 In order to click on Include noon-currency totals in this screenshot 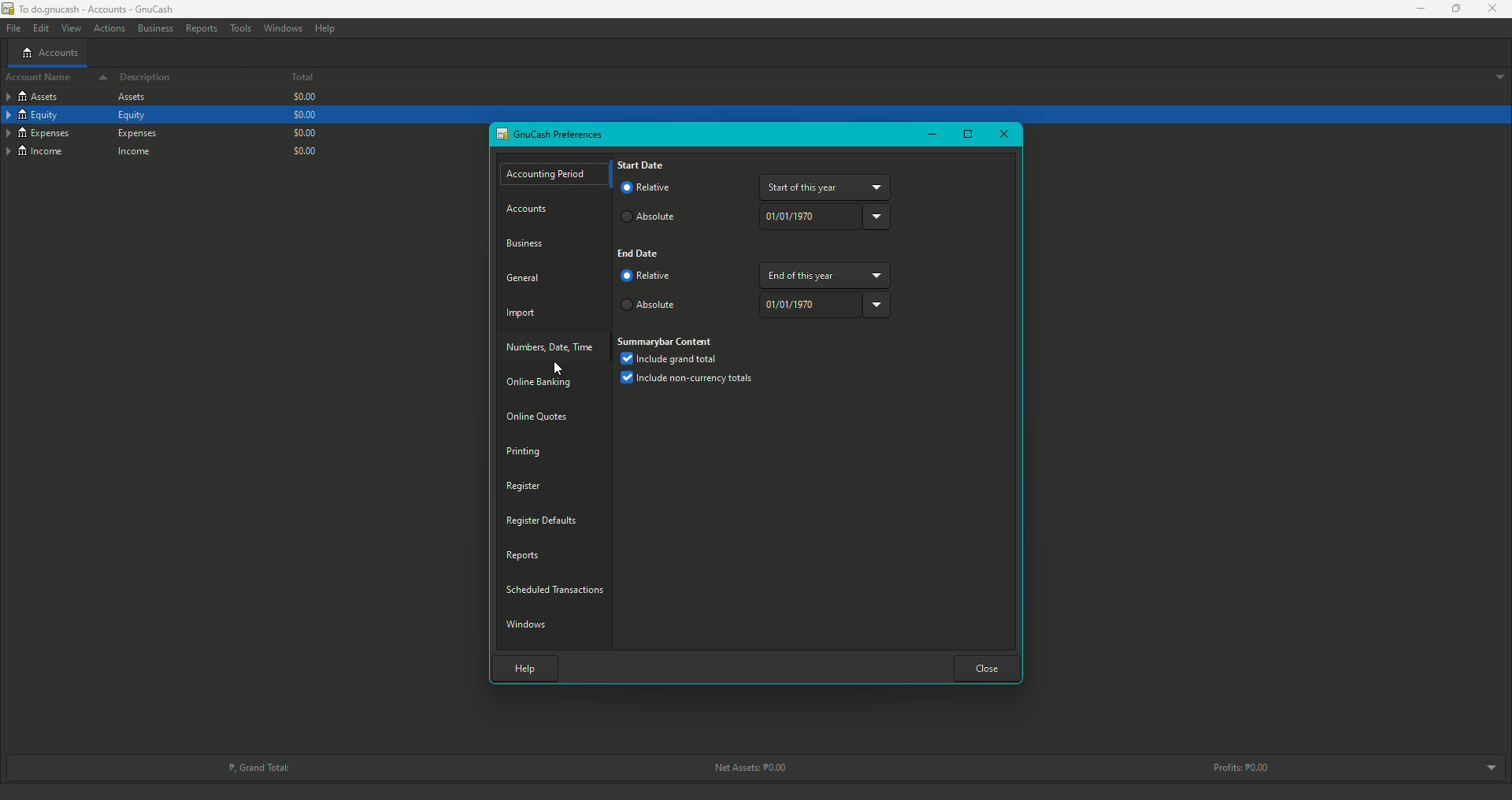, I will do `click(691, 380)`.